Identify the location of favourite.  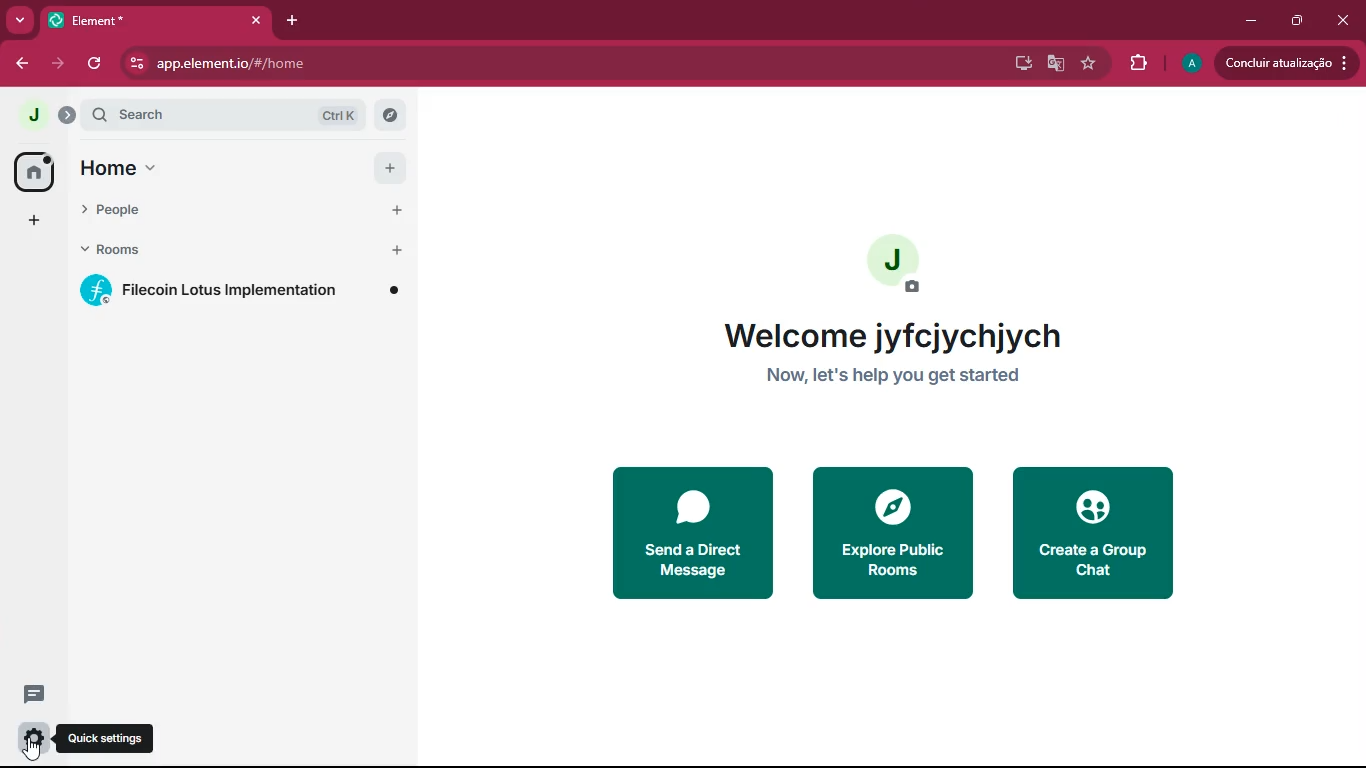
(1092, 65).